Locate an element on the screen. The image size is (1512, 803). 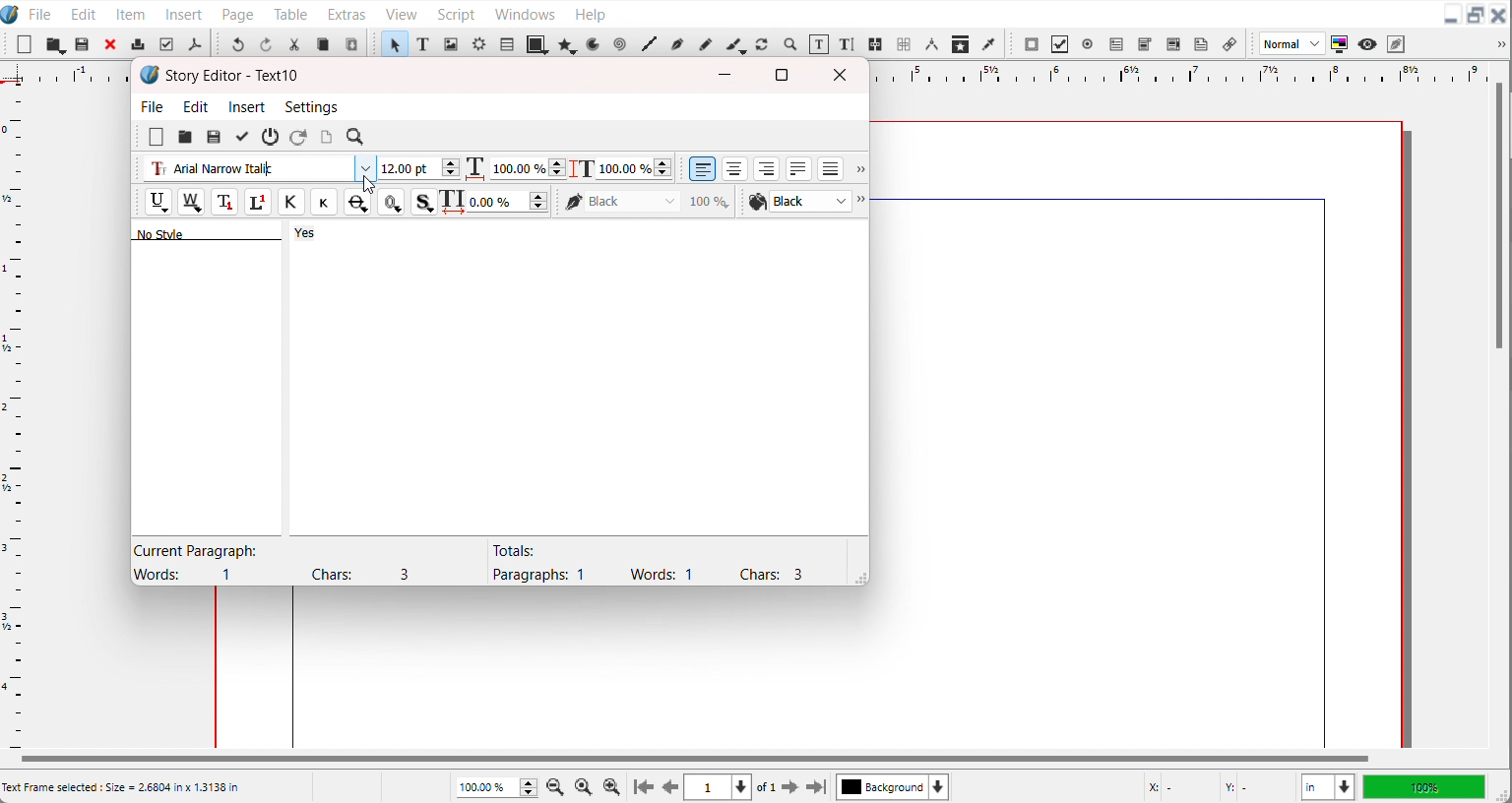
Text Height Adjuster is located at coordinates (634, 168).